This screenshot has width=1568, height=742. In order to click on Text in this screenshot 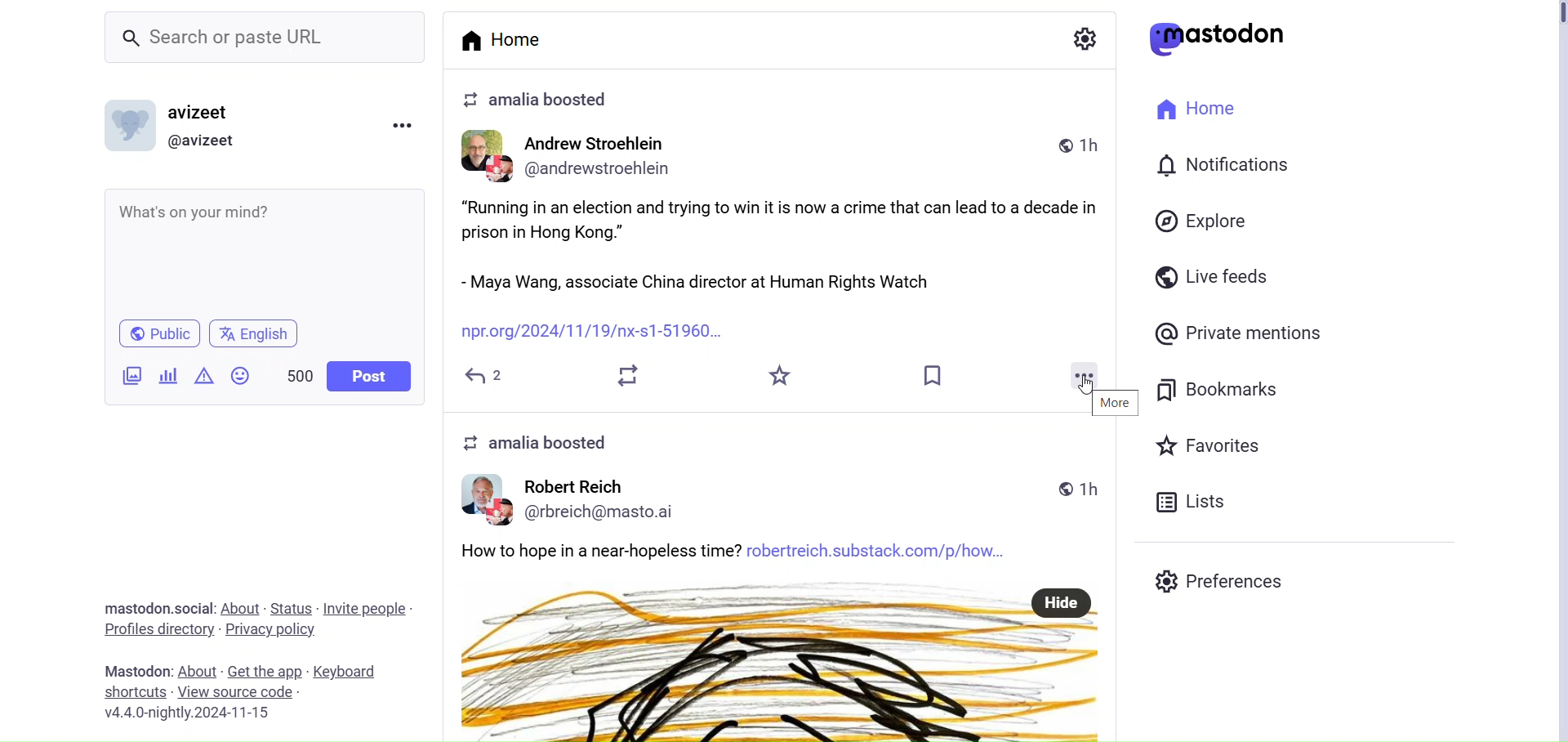, I will do `click(148, 607)`.